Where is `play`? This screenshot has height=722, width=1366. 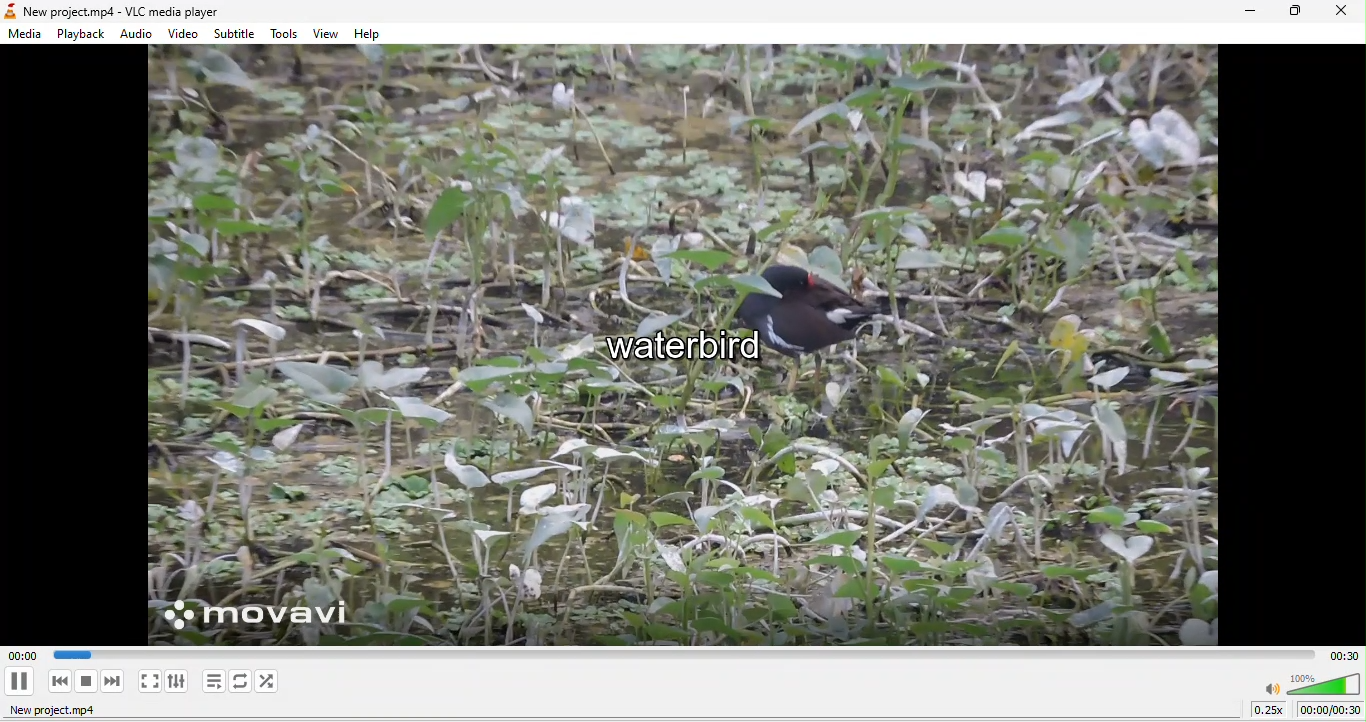
play is located at coordinates (19, 681).